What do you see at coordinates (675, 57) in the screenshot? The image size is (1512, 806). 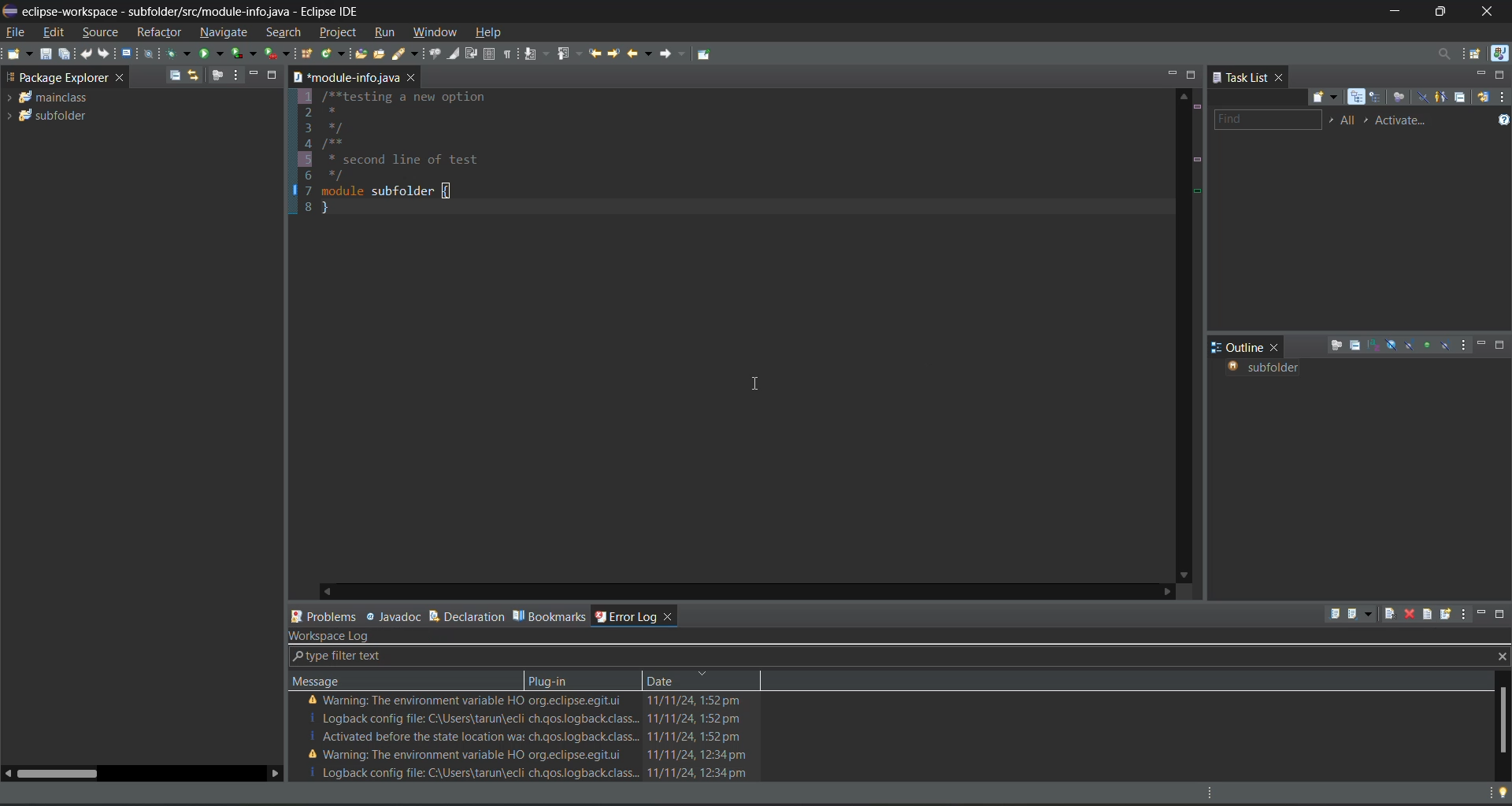 I see `forward` at bounding box center [675, 57].